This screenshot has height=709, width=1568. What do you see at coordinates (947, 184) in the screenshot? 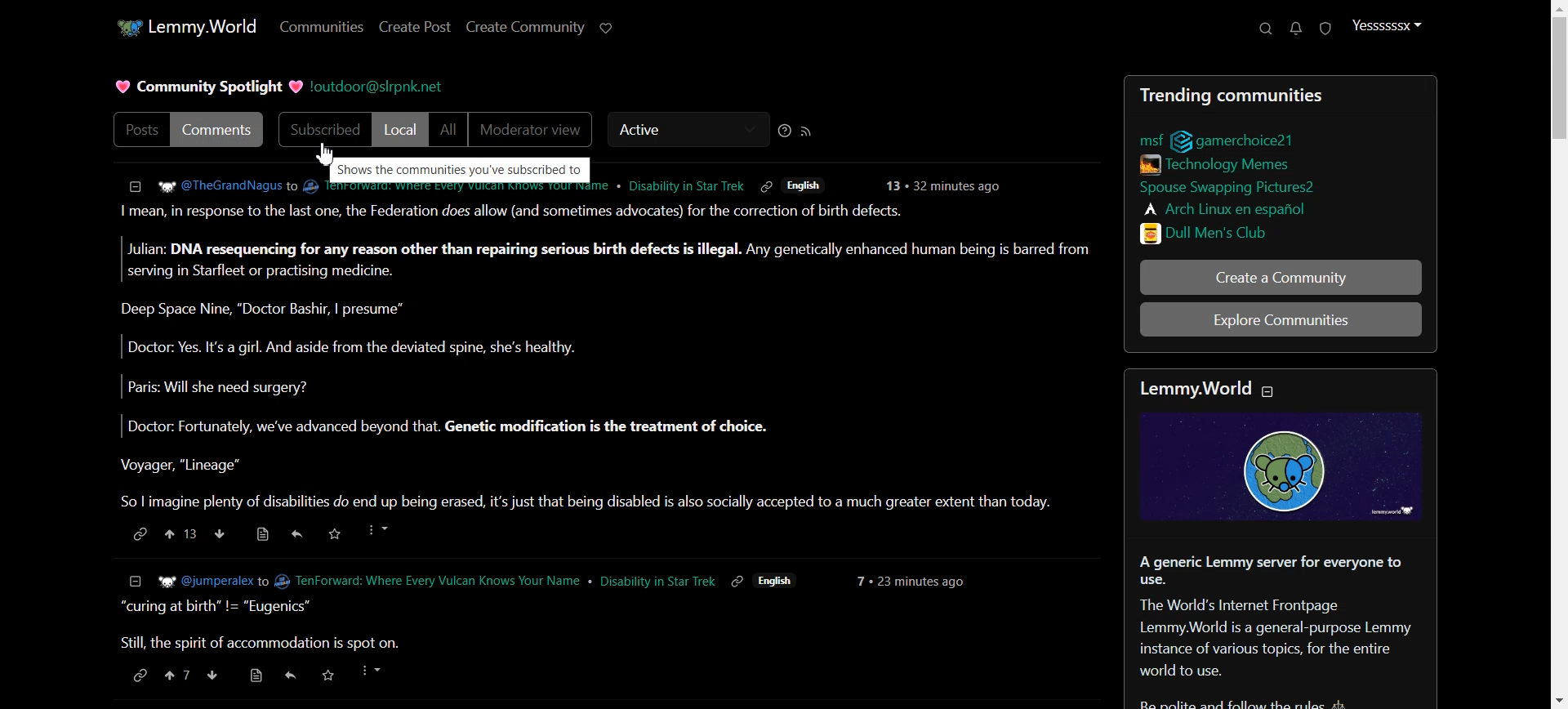
I see `time` at bounding box center [947, 184].